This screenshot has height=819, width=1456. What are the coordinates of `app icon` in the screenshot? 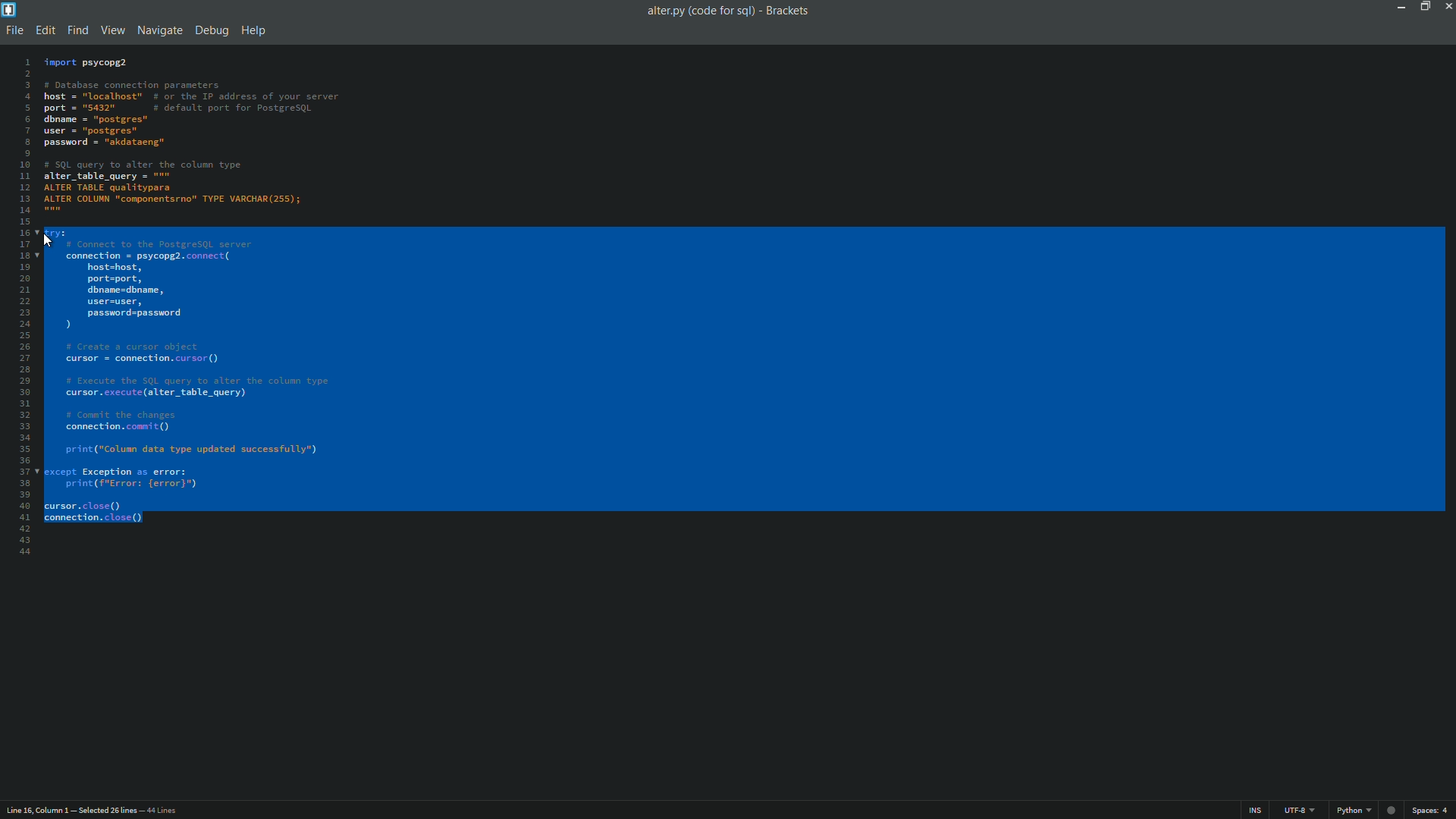 It's located at (9, 9).